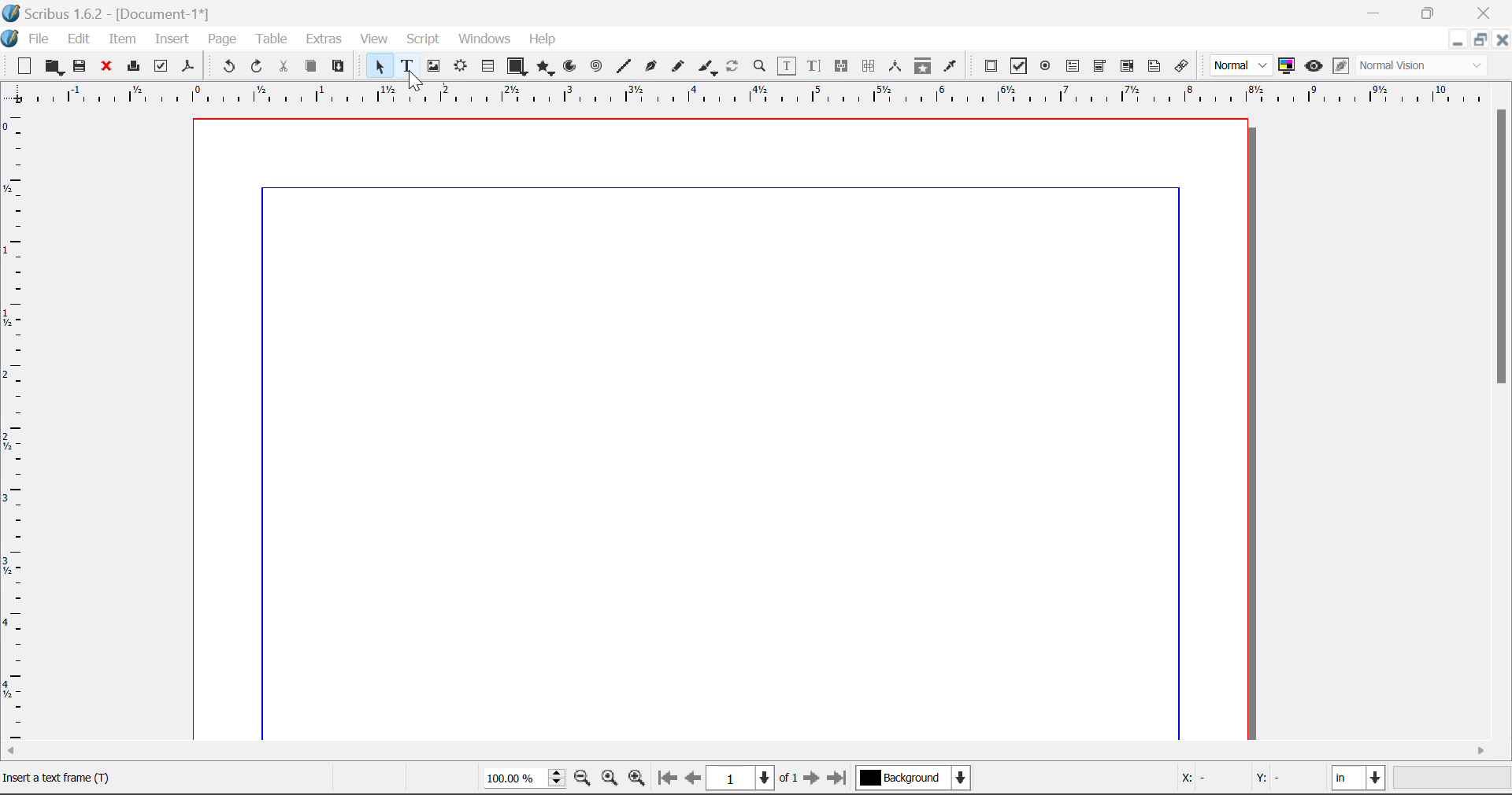 This screenshot has width=1512, height=795. What do you see at coordinates (922, 66) in the screenshot?
I see `Copy Item Properties` at bounding box center [922, 66].